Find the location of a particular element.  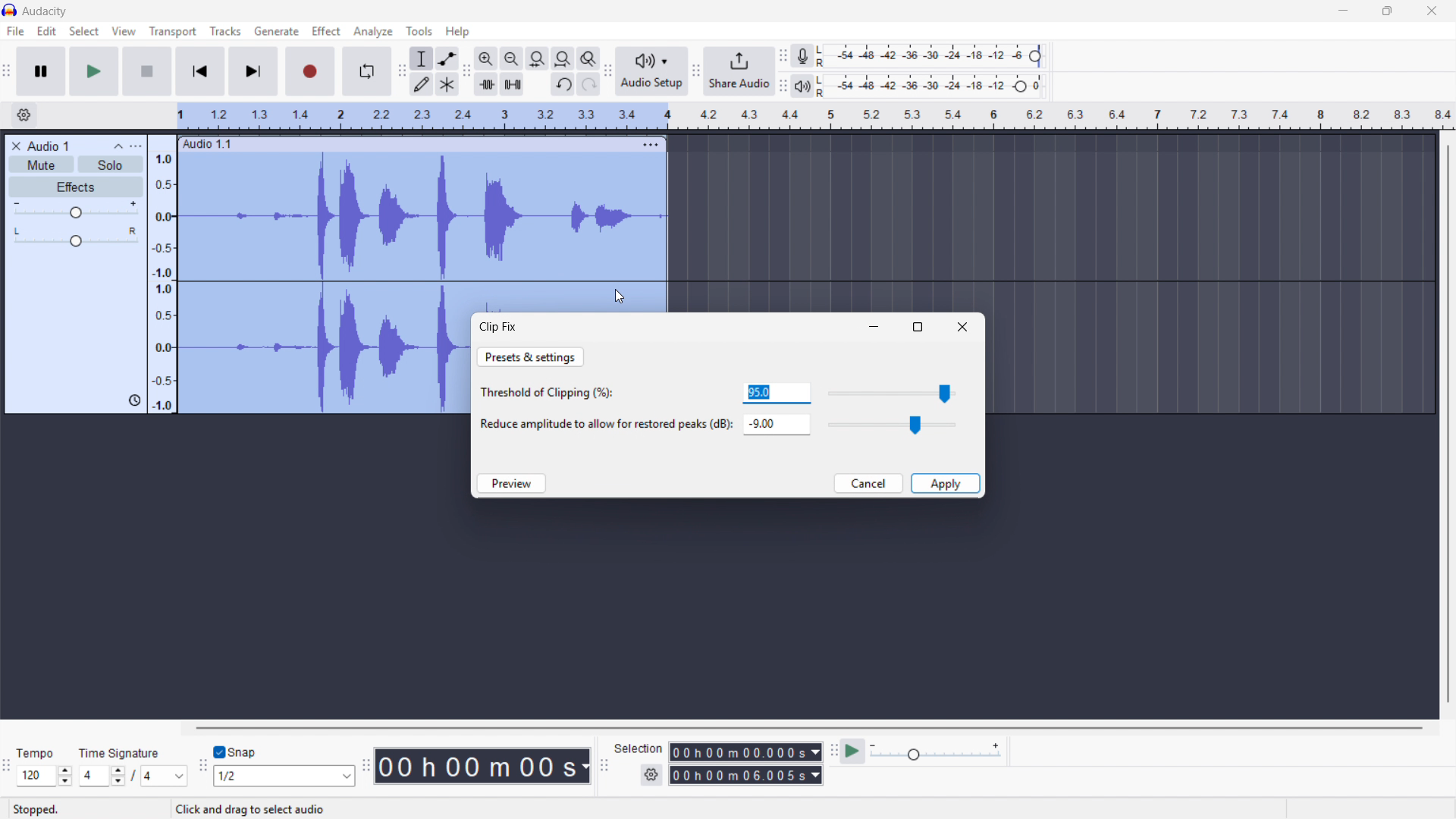

Timestamp is located at coordinates (483, 766).